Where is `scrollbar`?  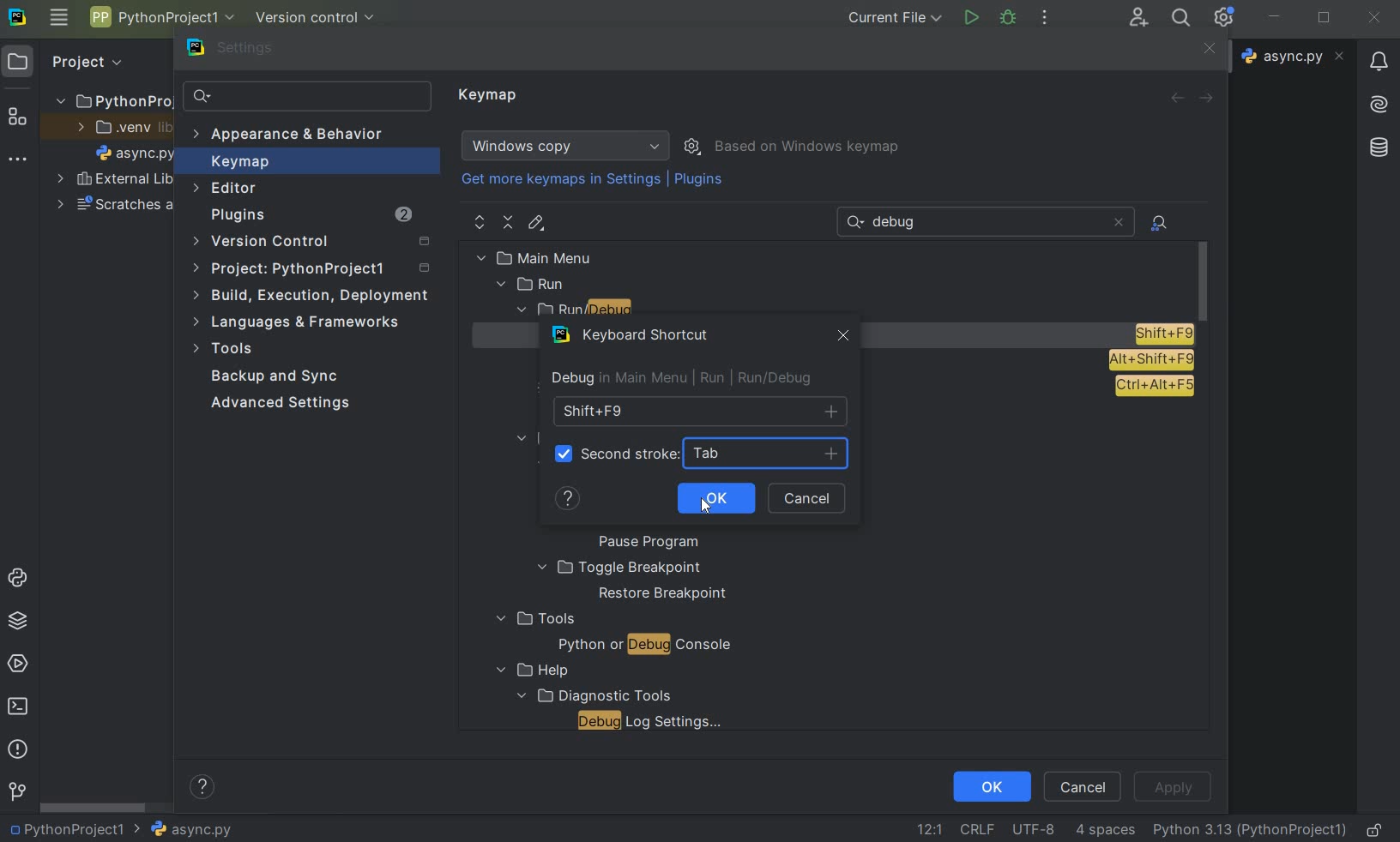
scrollbar is located at coordinates (94, 808).